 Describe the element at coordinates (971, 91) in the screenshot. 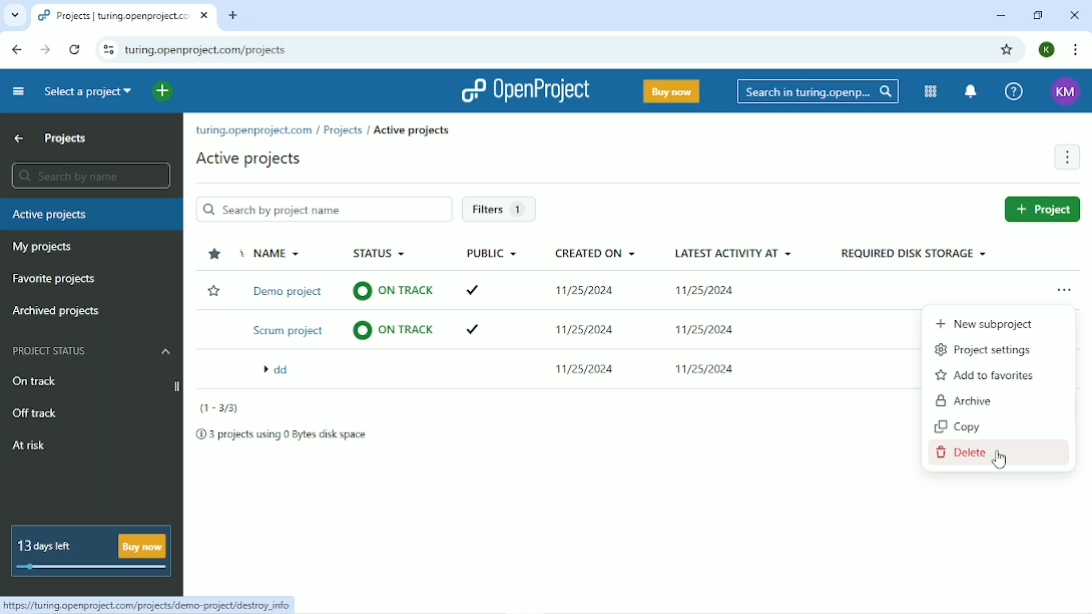

I see `To notification center` at that location.